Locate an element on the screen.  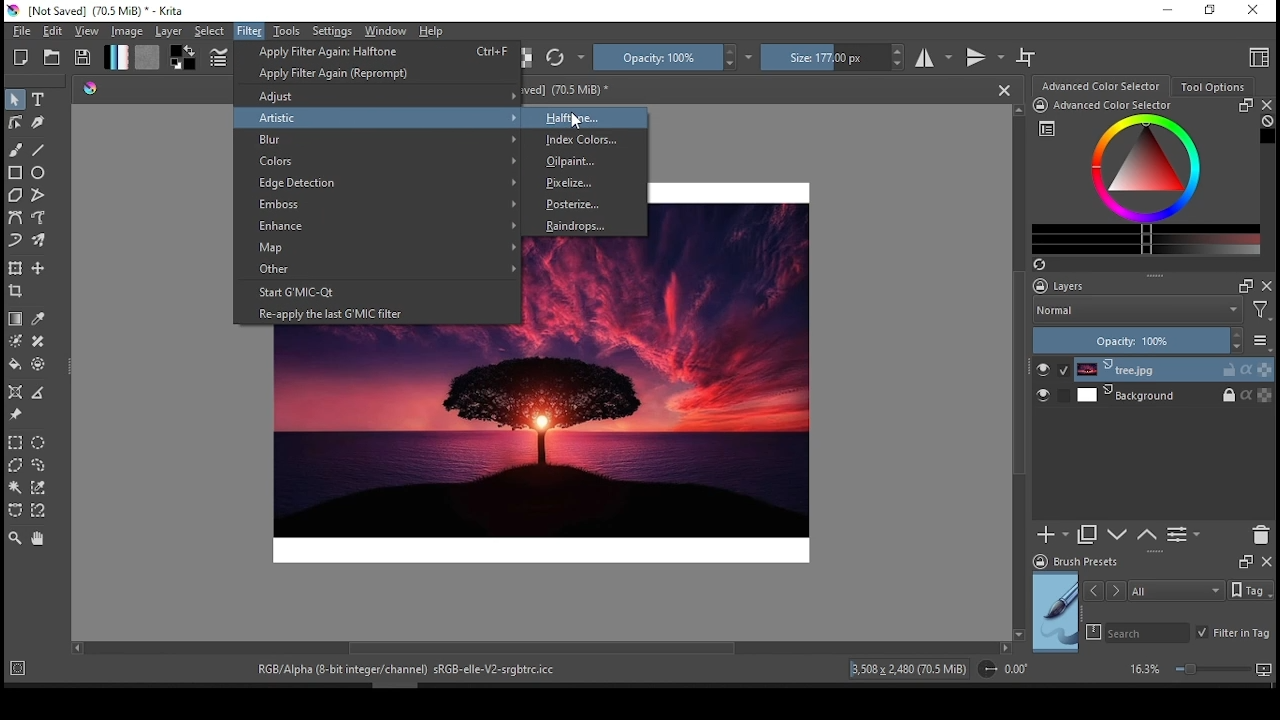
delete layer is located at coordinates (1262, 533).